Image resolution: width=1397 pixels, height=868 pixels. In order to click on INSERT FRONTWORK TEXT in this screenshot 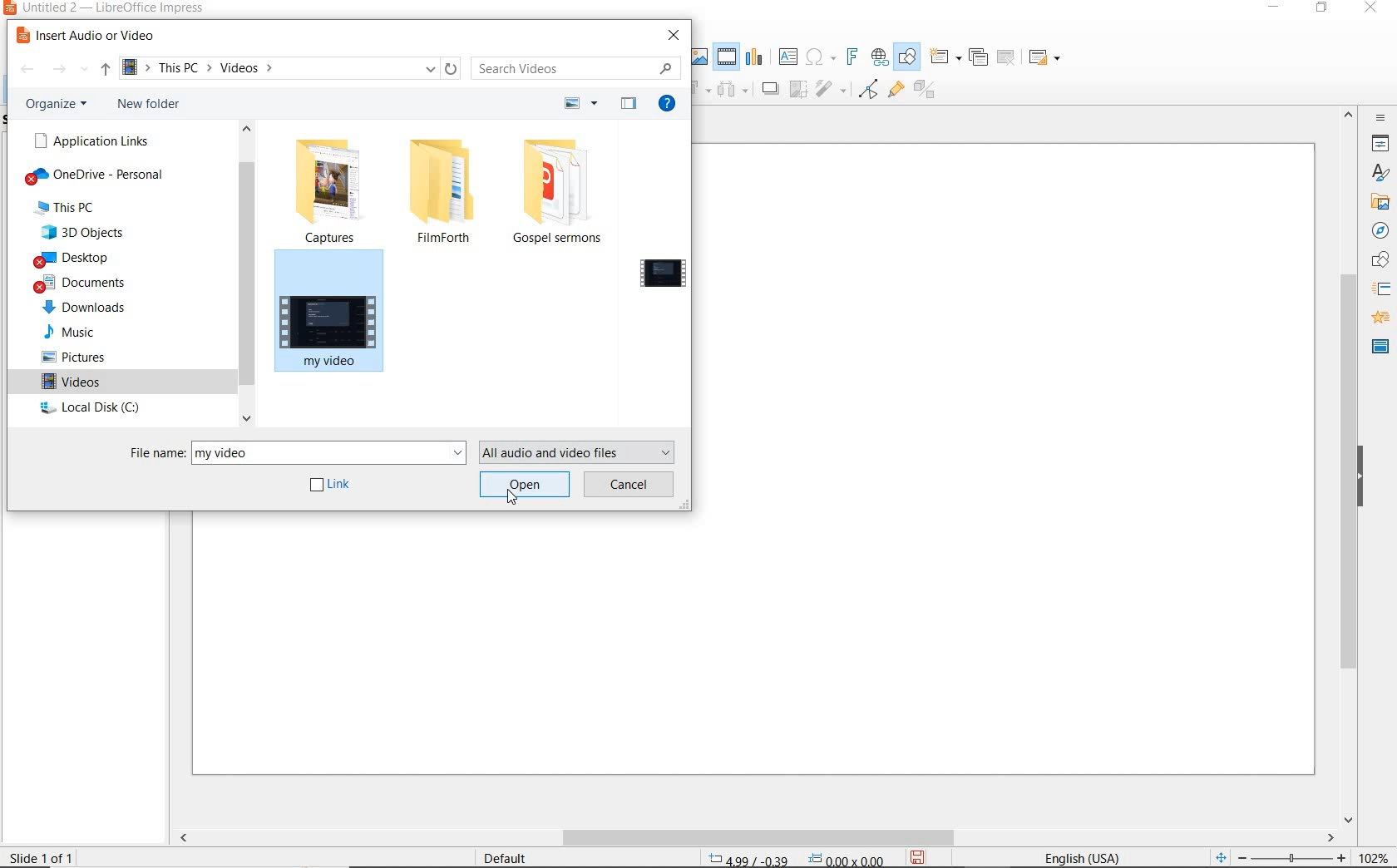, I will do `click(851, 56)`.